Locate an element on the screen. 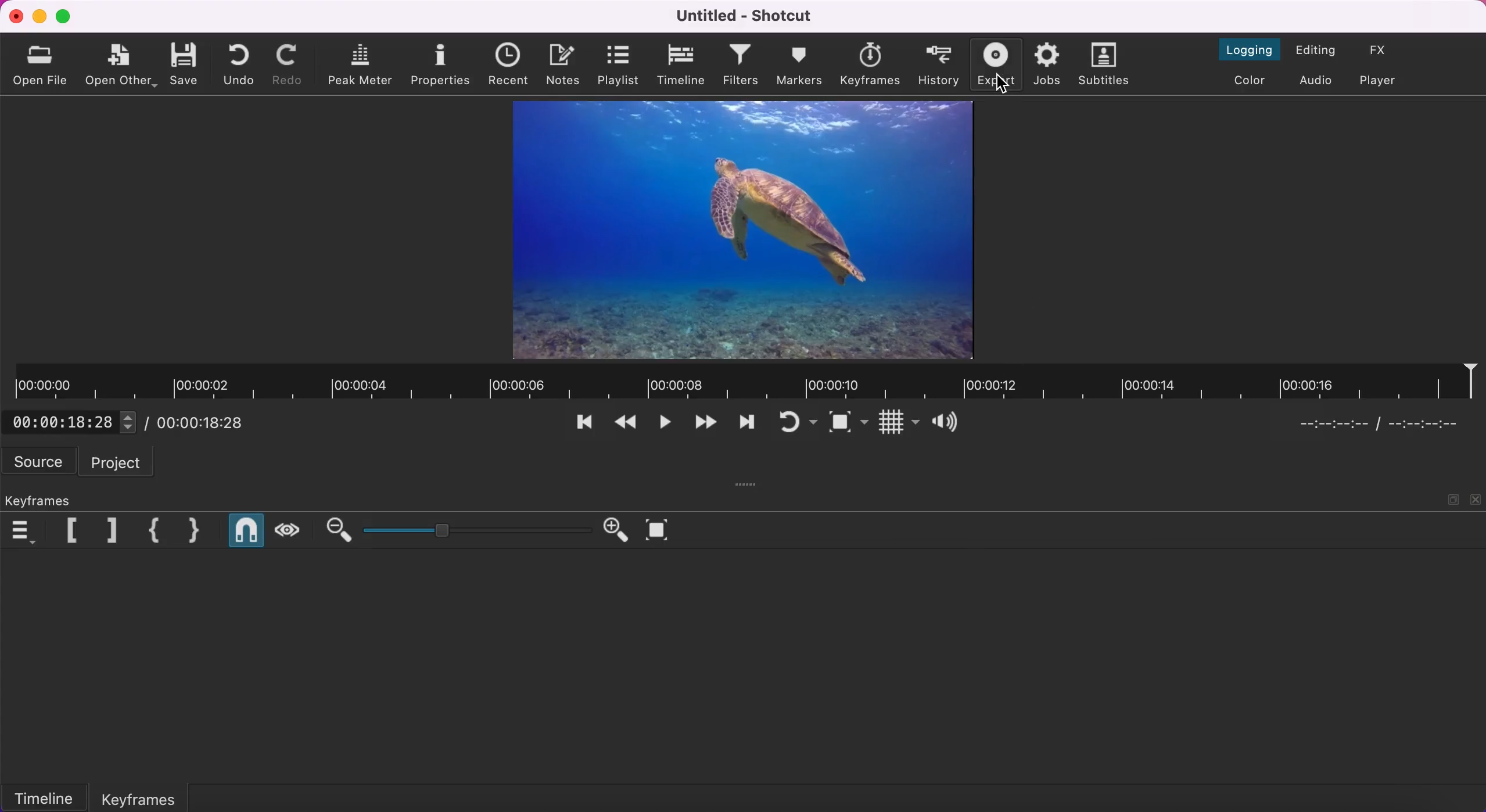 This screenshot has height=812, width=1486. keyframes is located at coordinates (140, 797).